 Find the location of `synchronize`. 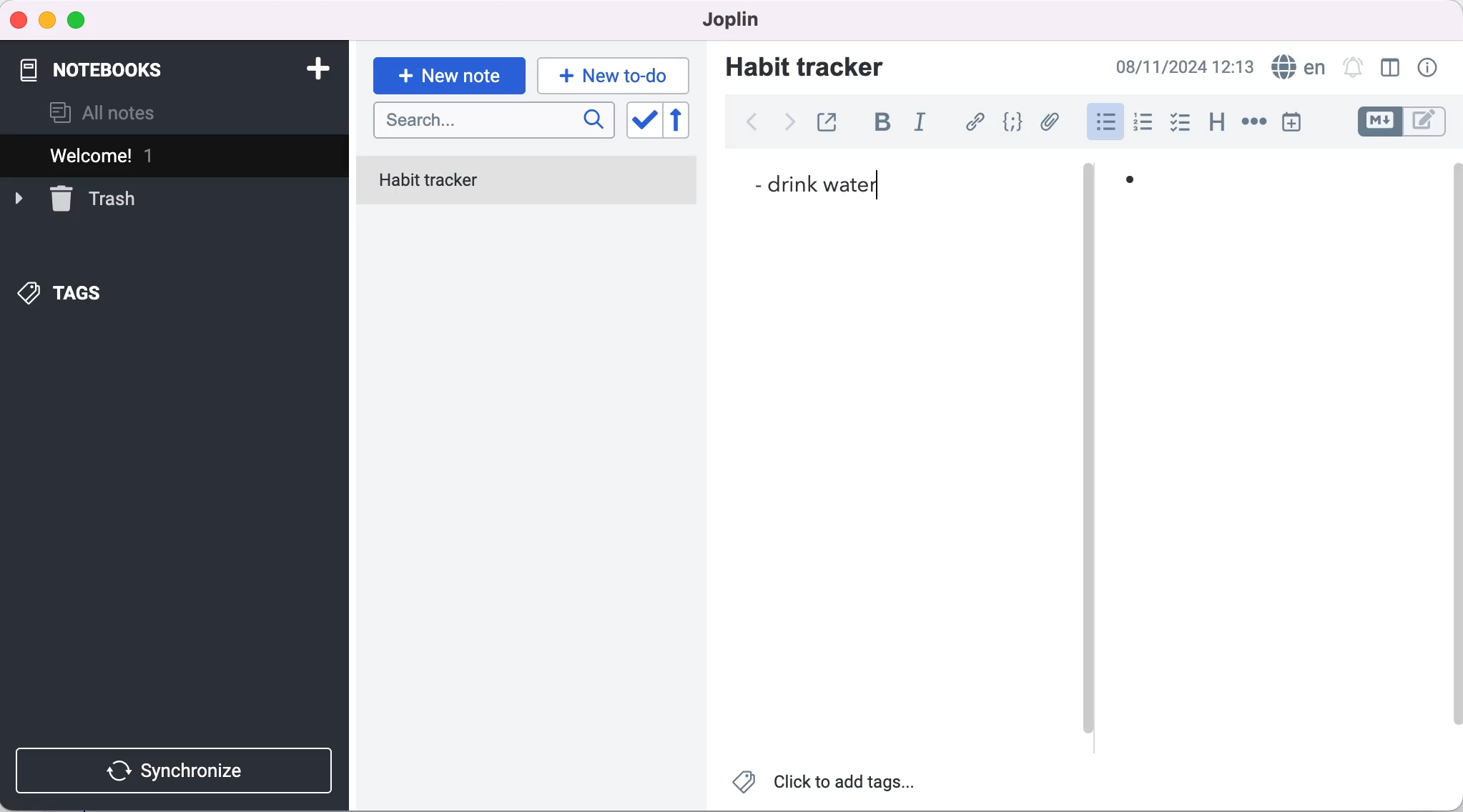

synchronize is located at coordinates (177, 771).